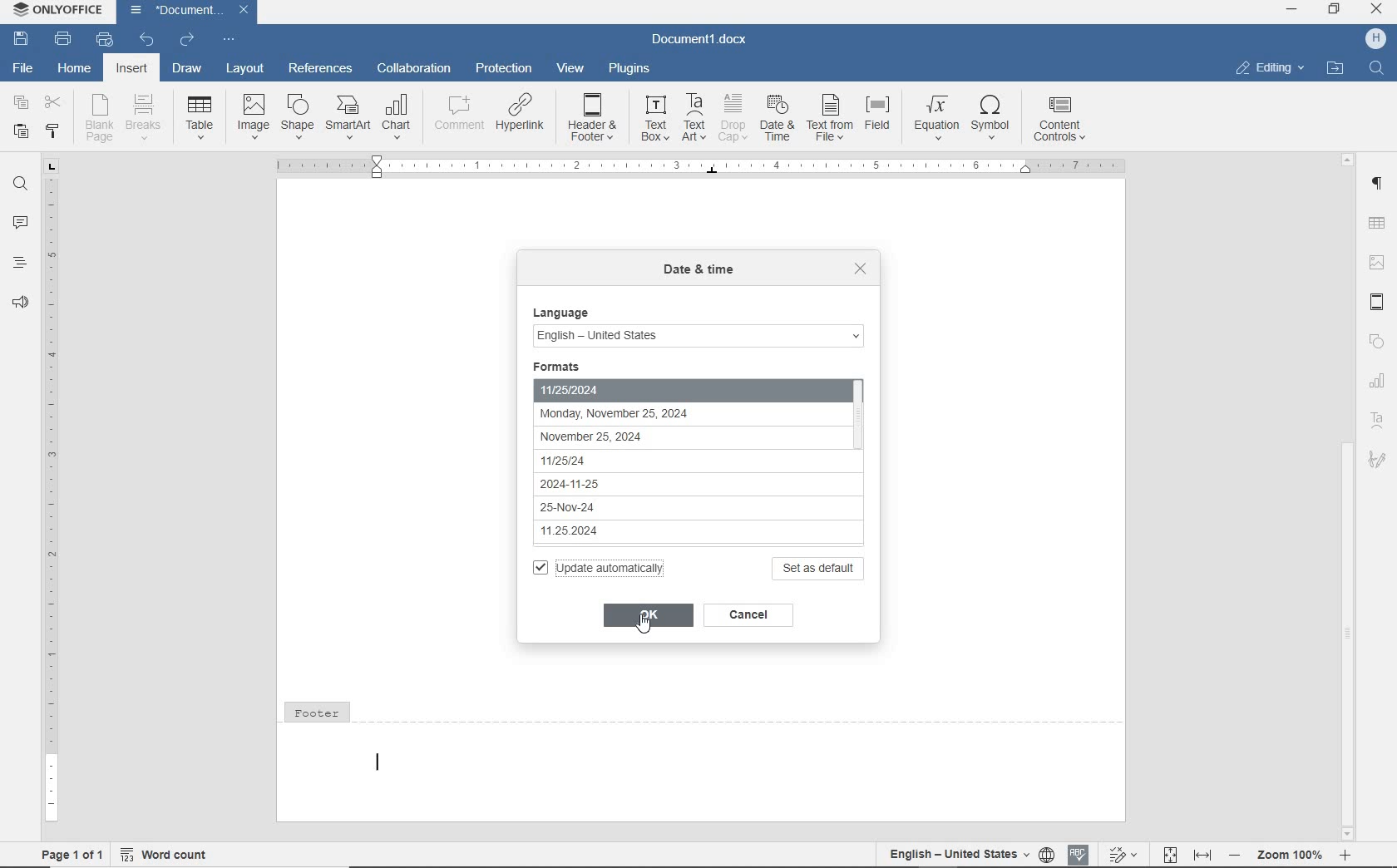  What do you see at coordinates (502, 68) in the screenshot?
I see `protection` at bounding box center [502, 68].